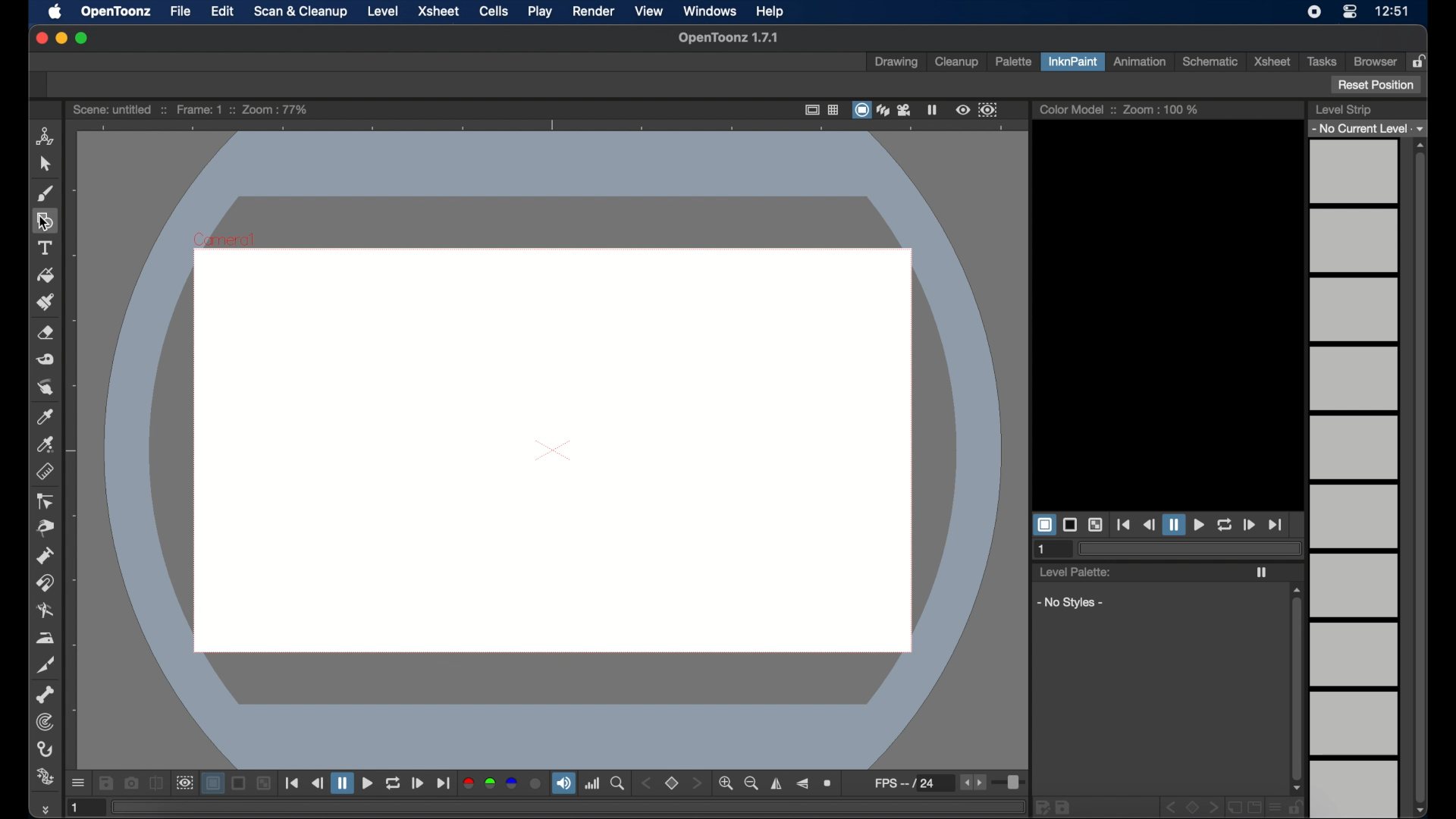 The height and width of the screenshot is (819, 1456). I want to click on disabled icons, so click(1169, 808).